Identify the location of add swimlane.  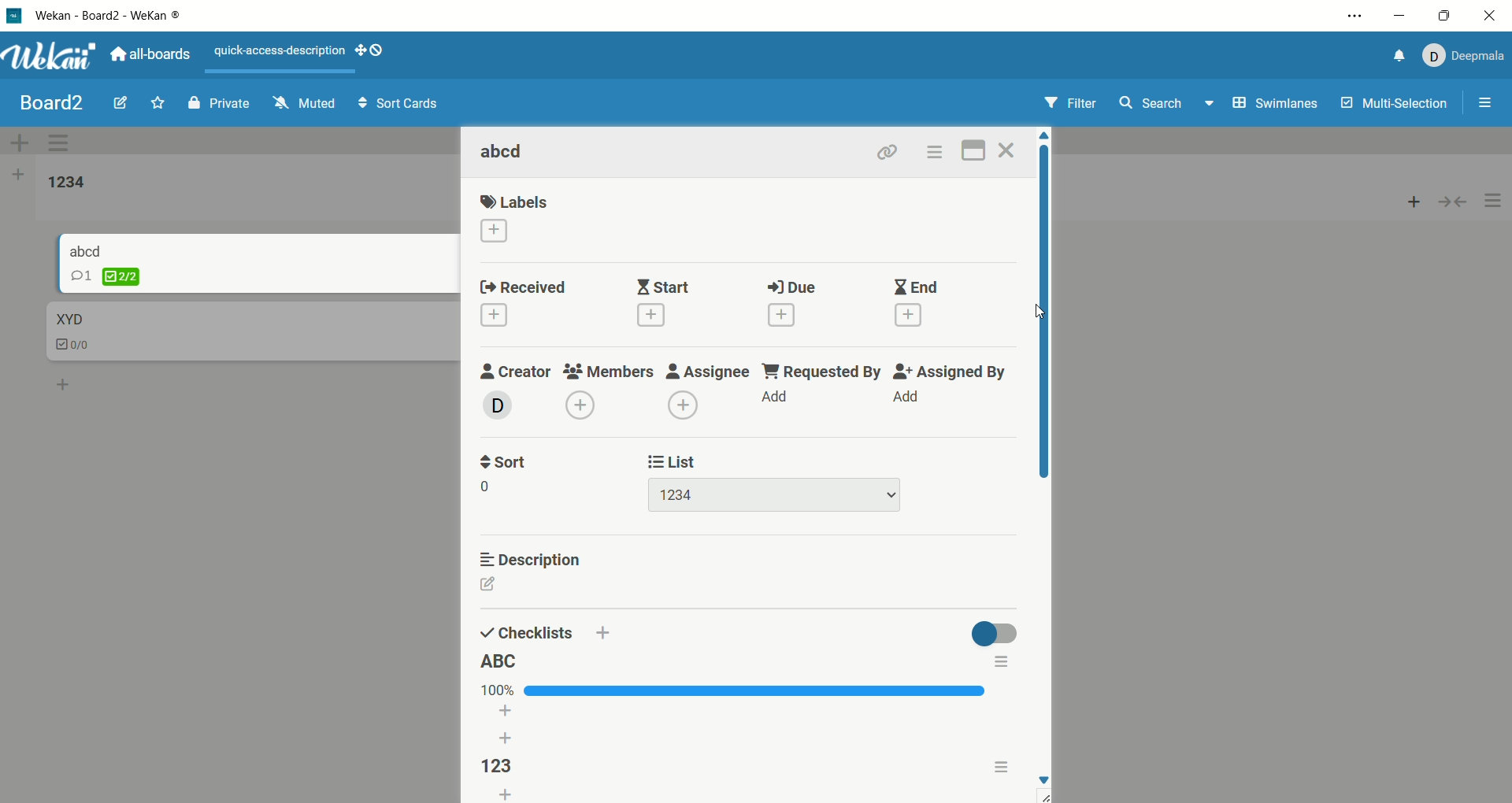
(20, 142).